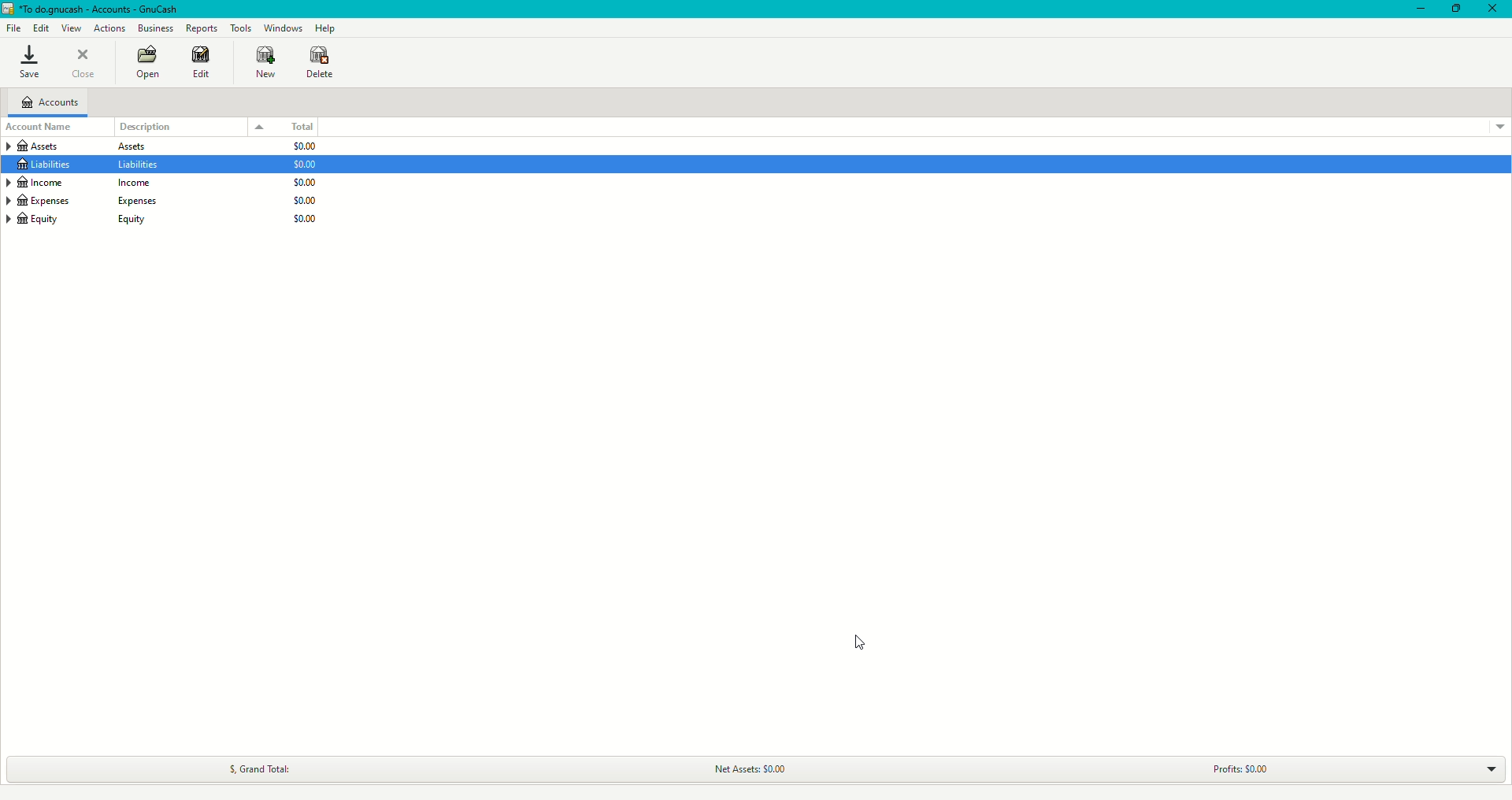  Describe the element at coordinates (254, 766) in the screenshot. I see `Grand Total` at that location.